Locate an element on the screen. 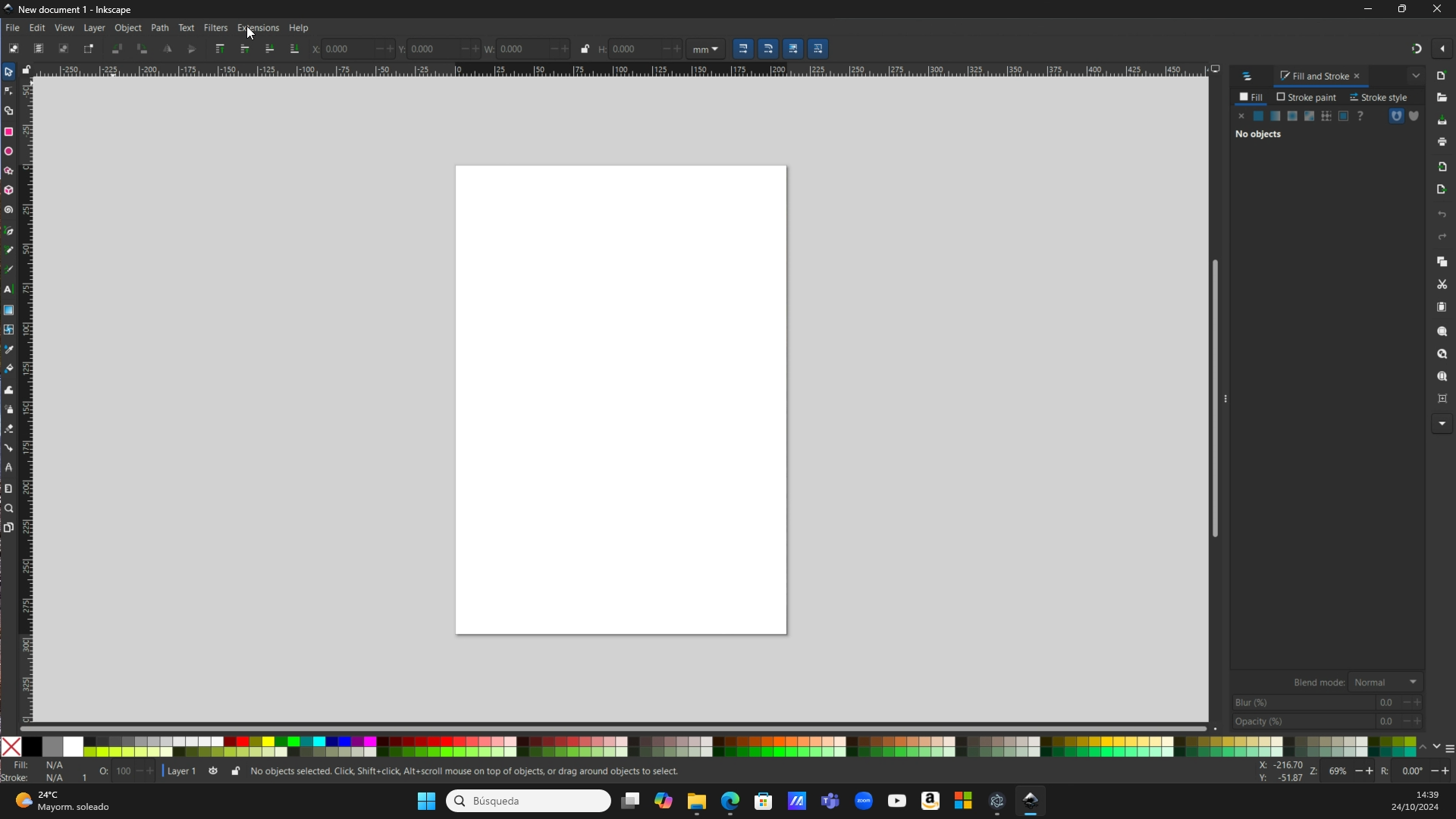 This screenshot has height=819, width=1456. Edit is located at coordinates (39, 28).